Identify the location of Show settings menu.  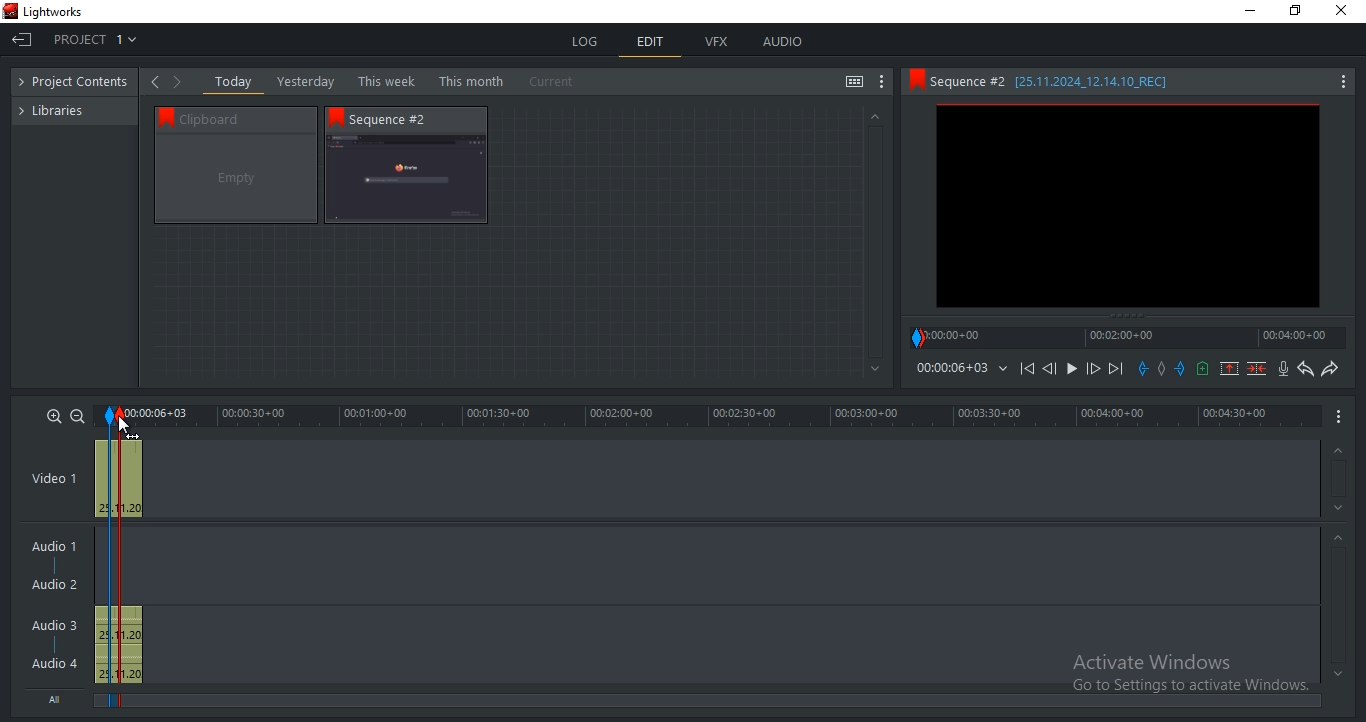
(1342, 83).